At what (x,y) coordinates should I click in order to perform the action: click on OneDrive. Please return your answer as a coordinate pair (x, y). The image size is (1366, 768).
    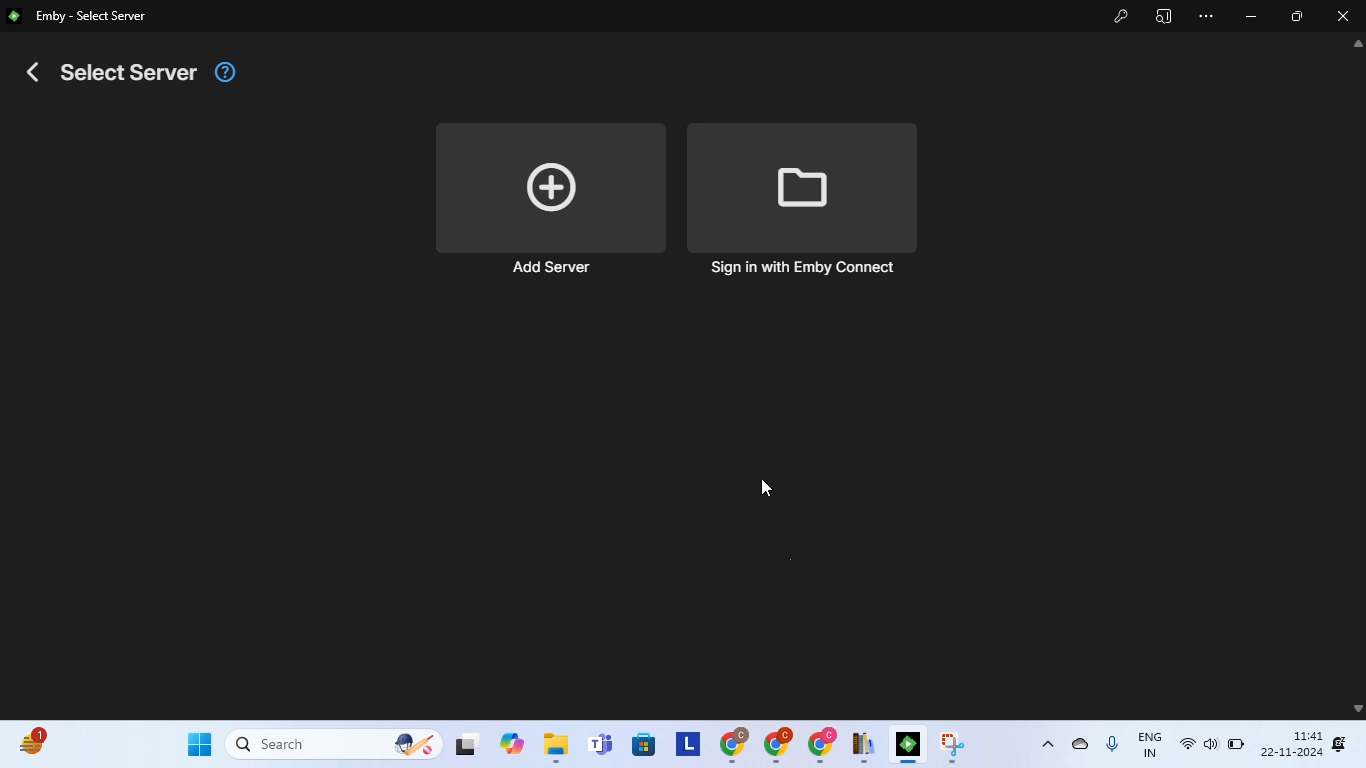
    Looking at the image, I should click on (1083, 741).